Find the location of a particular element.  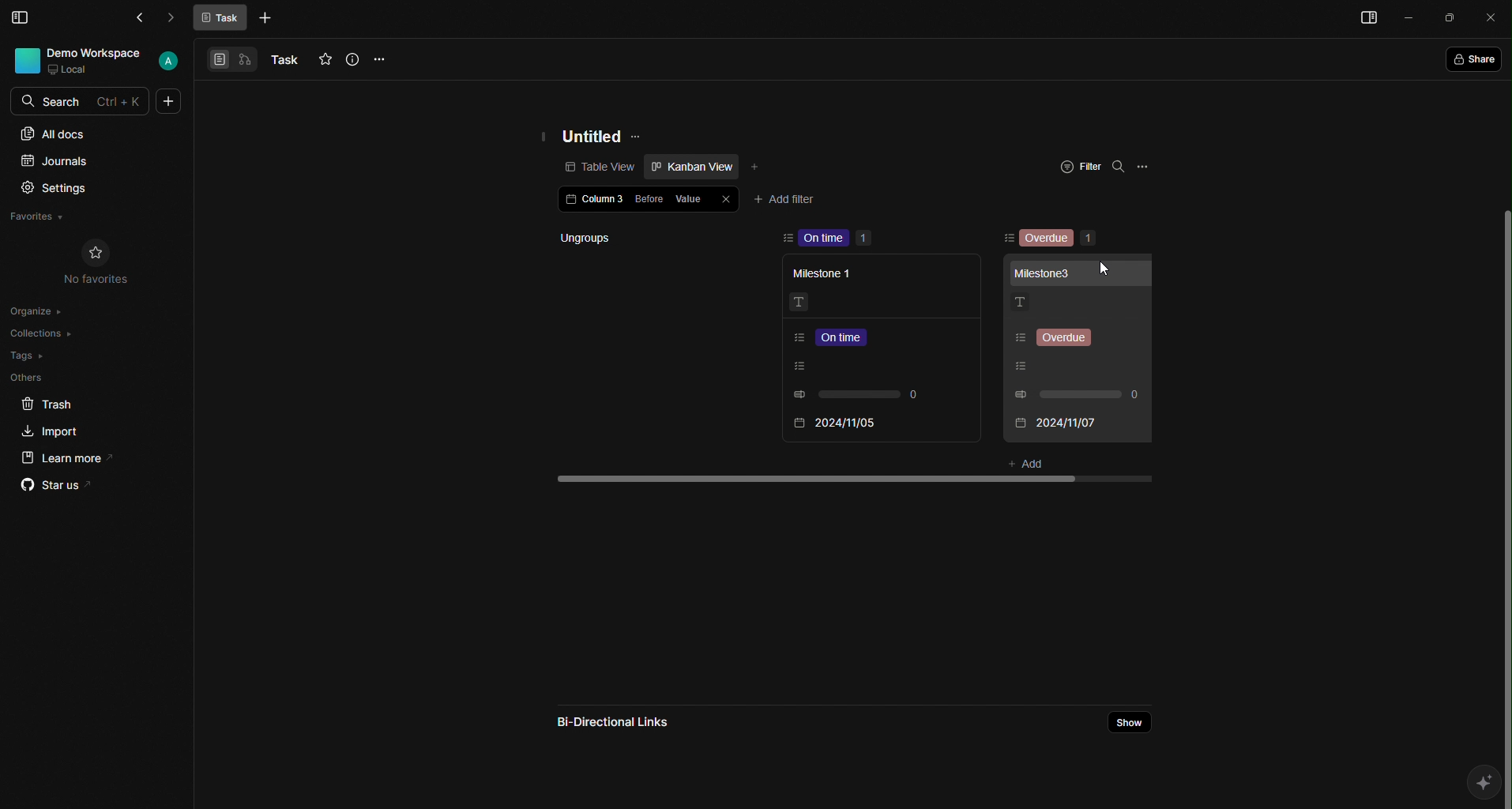

Listing is located at coordinates (1040, 366).